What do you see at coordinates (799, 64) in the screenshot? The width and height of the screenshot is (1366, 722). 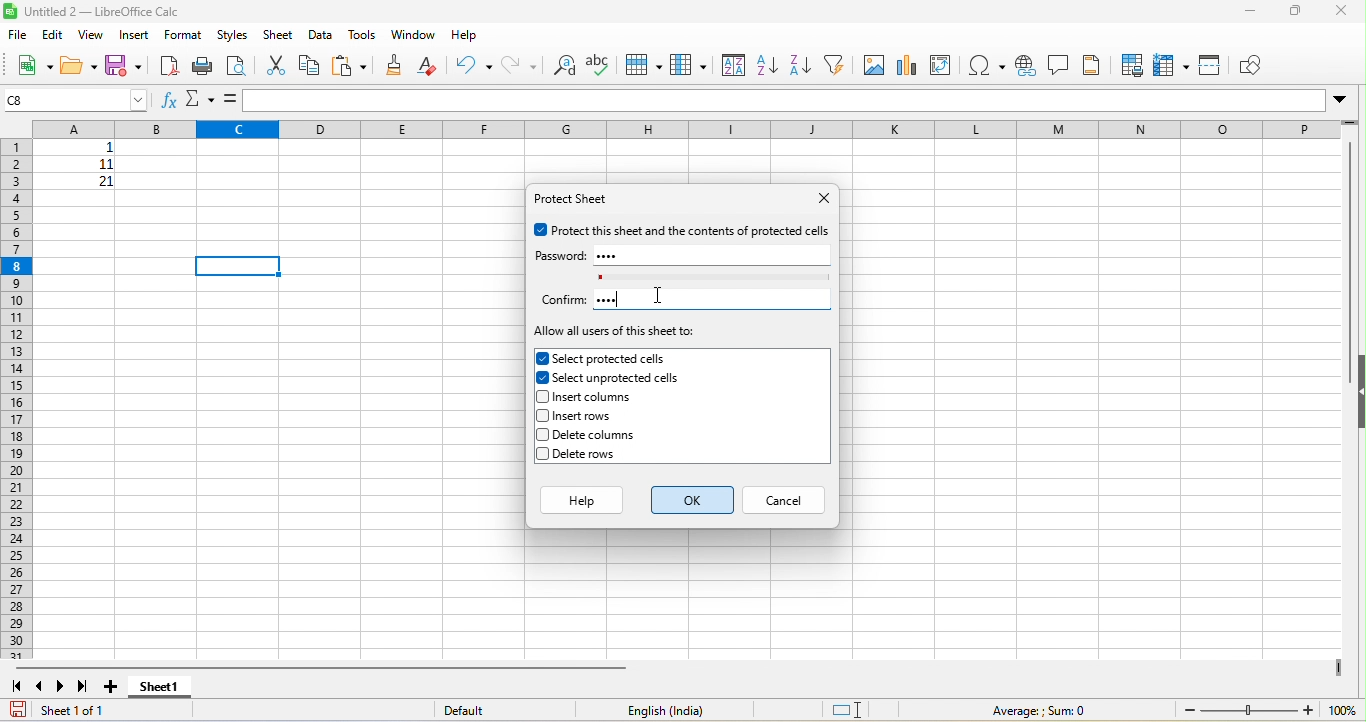 I see `sort descending` at bounding box center [799, 64].